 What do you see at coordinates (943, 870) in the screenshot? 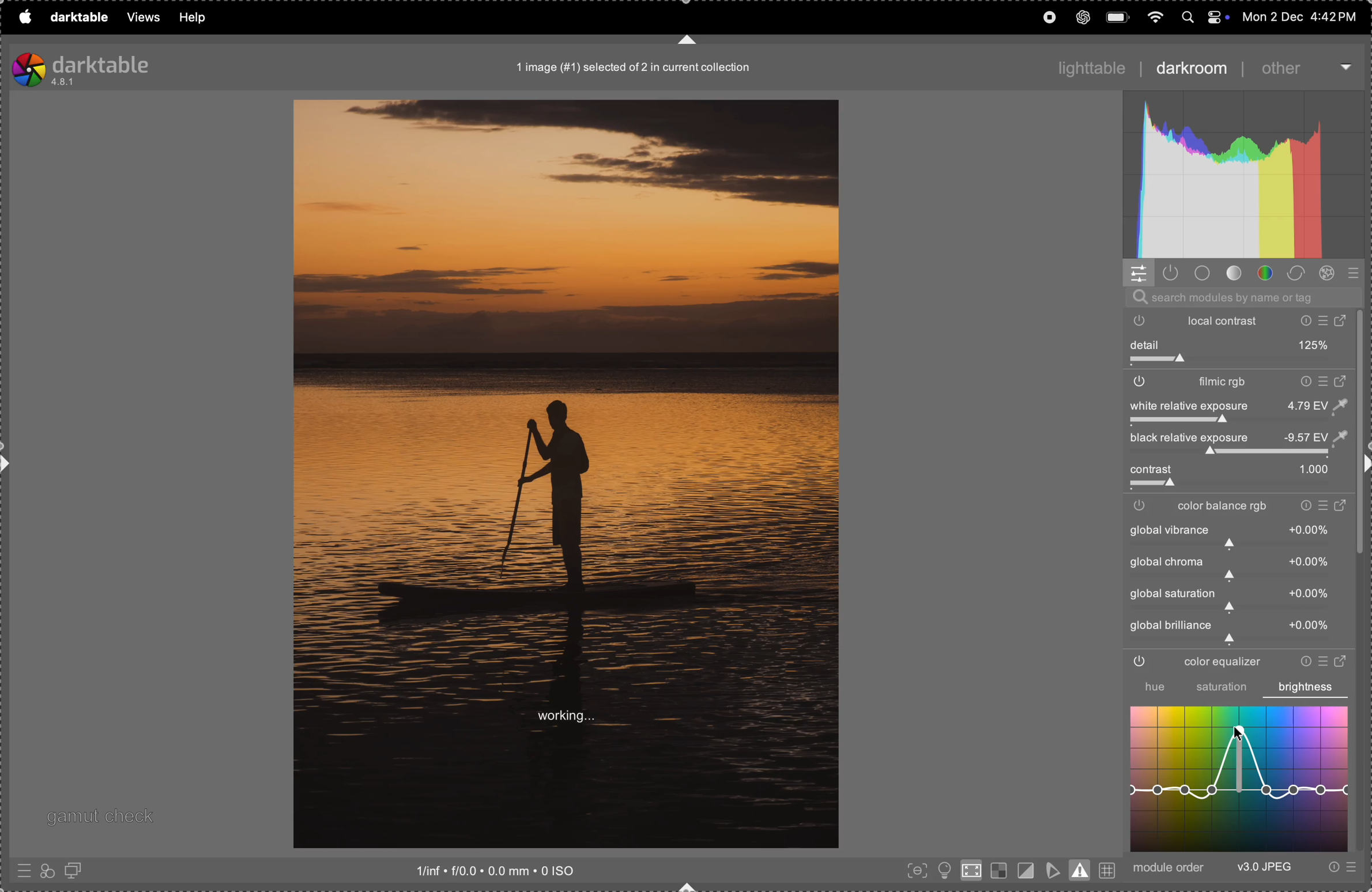
I see `toggle iso` at bounding box center [943, 870].